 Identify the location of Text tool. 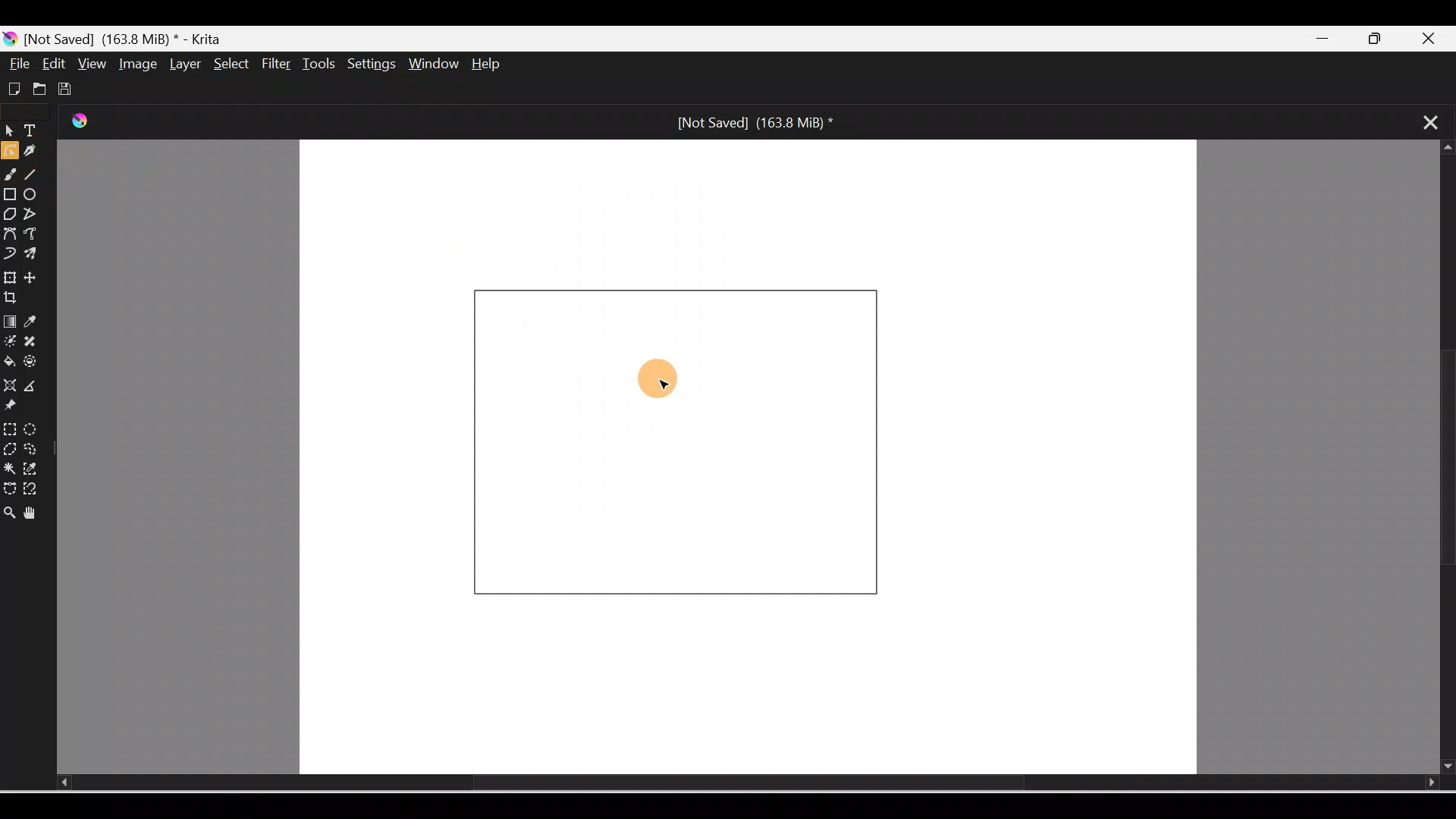
(33, 132).